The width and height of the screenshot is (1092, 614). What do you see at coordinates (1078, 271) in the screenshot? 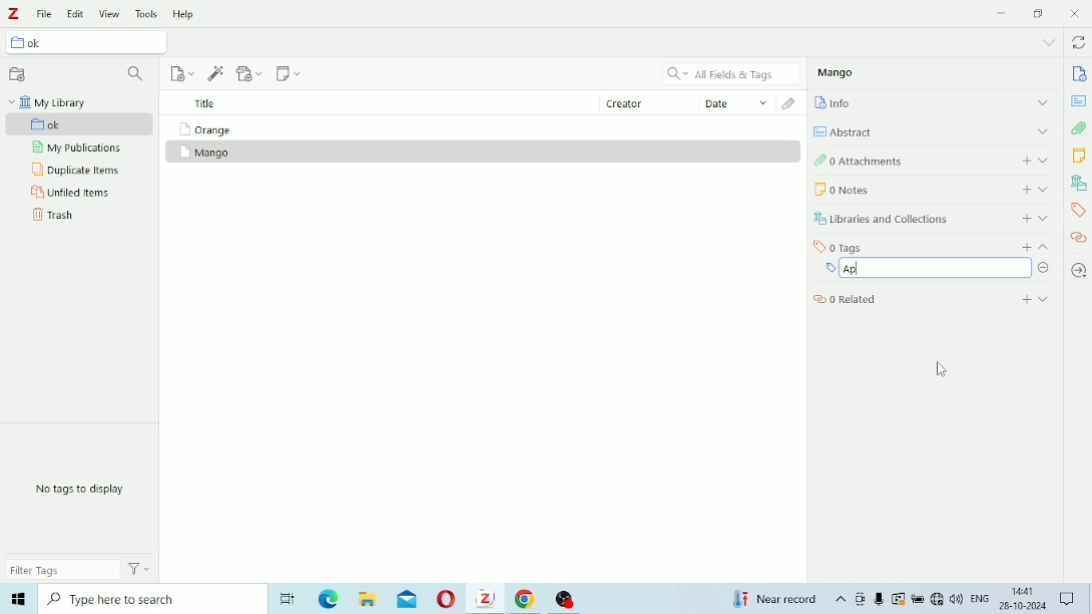
I see `Locate` at bounding box center [1078, 271].